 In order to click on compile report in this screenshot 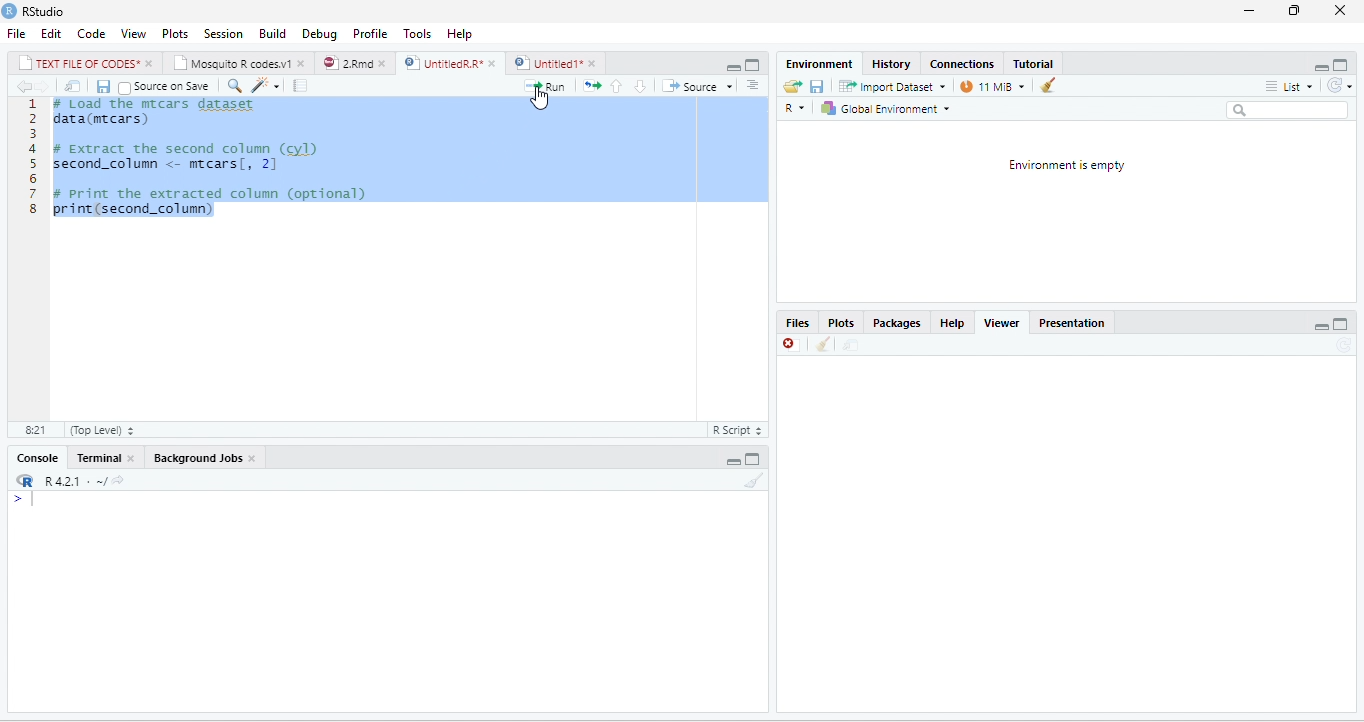, I will do `click(299, 85)`.